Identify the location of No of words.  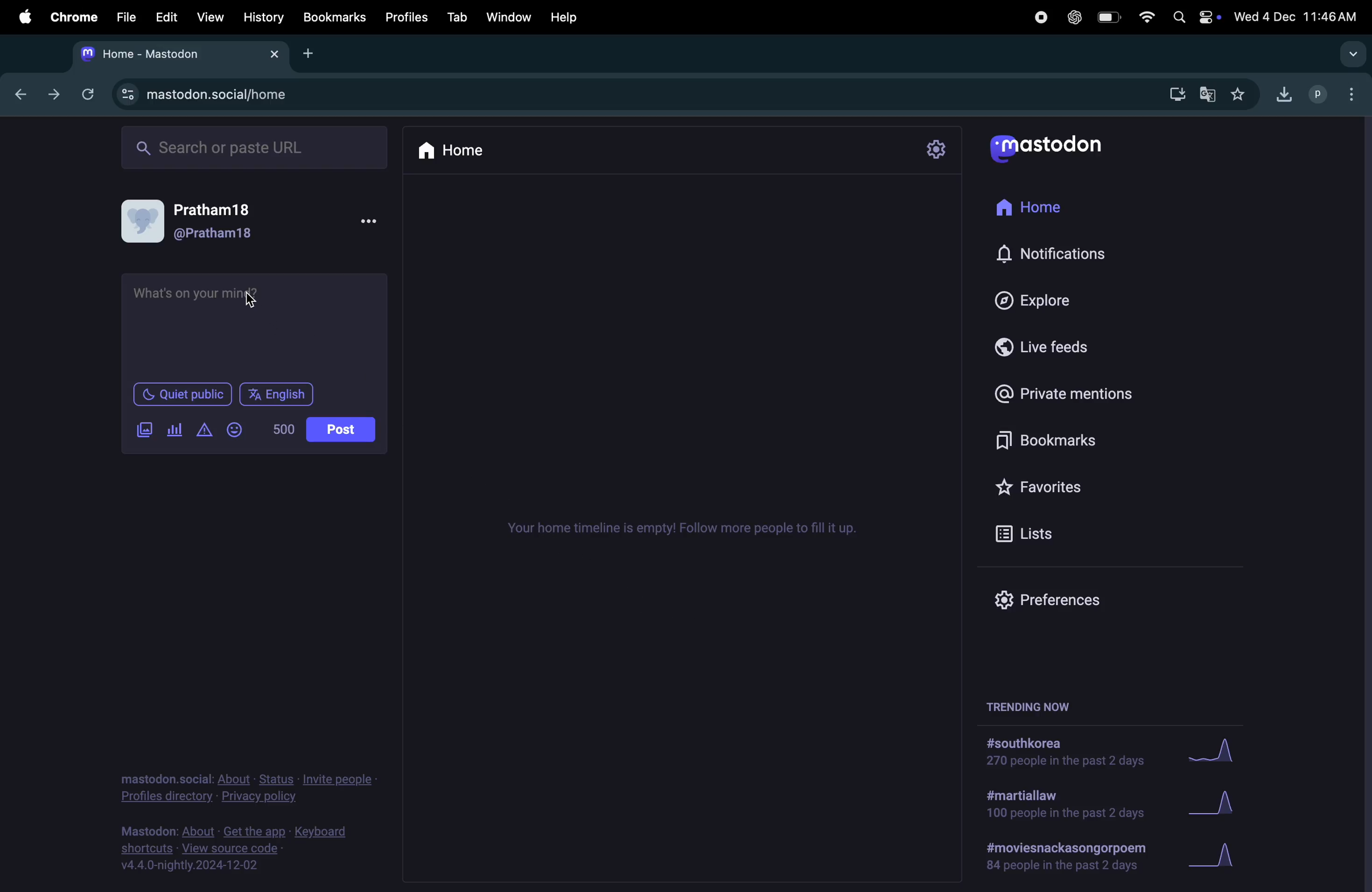
(282, 429).